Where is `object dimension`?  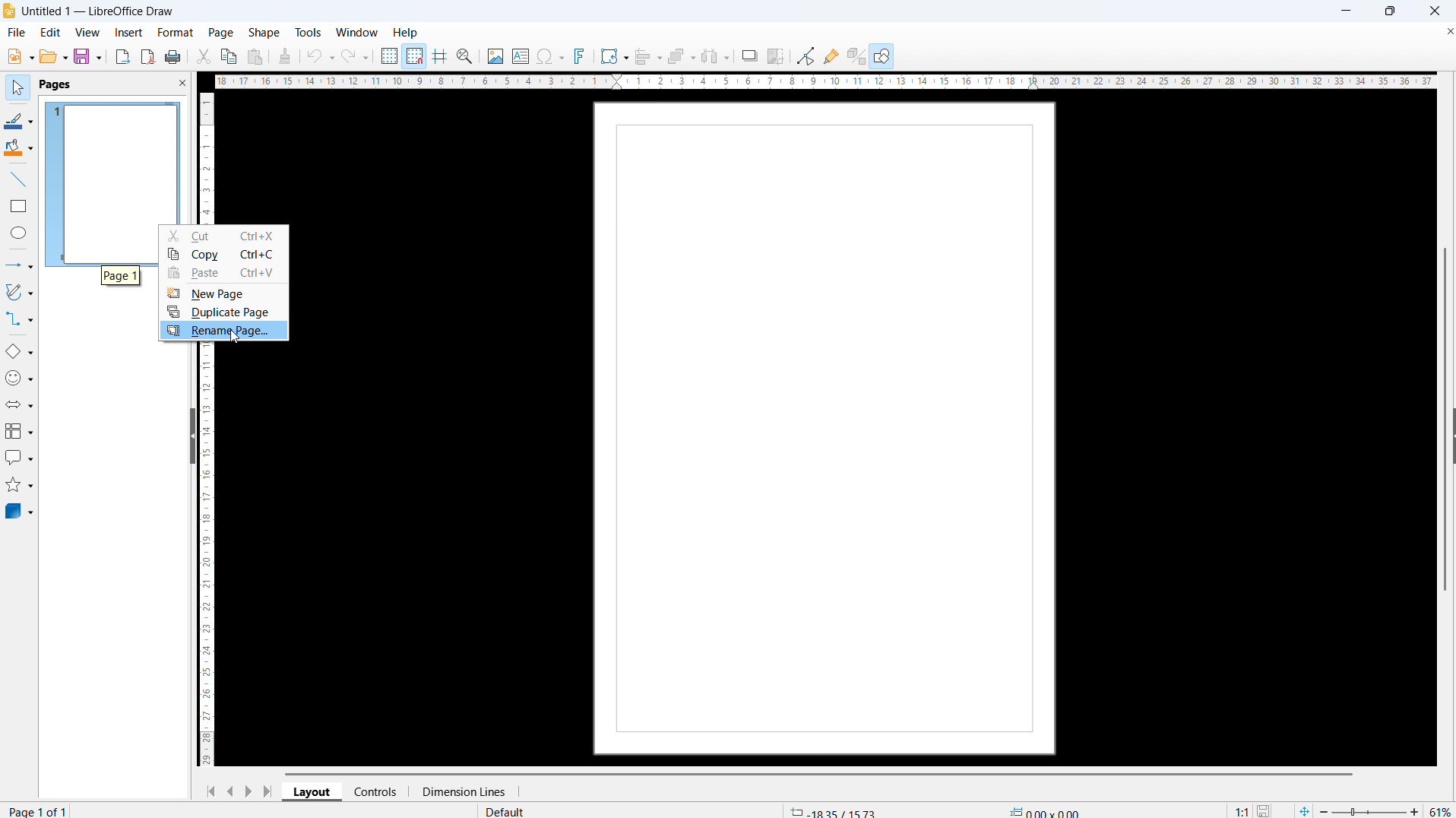 object dimension is located at coordinates (1046, 810).